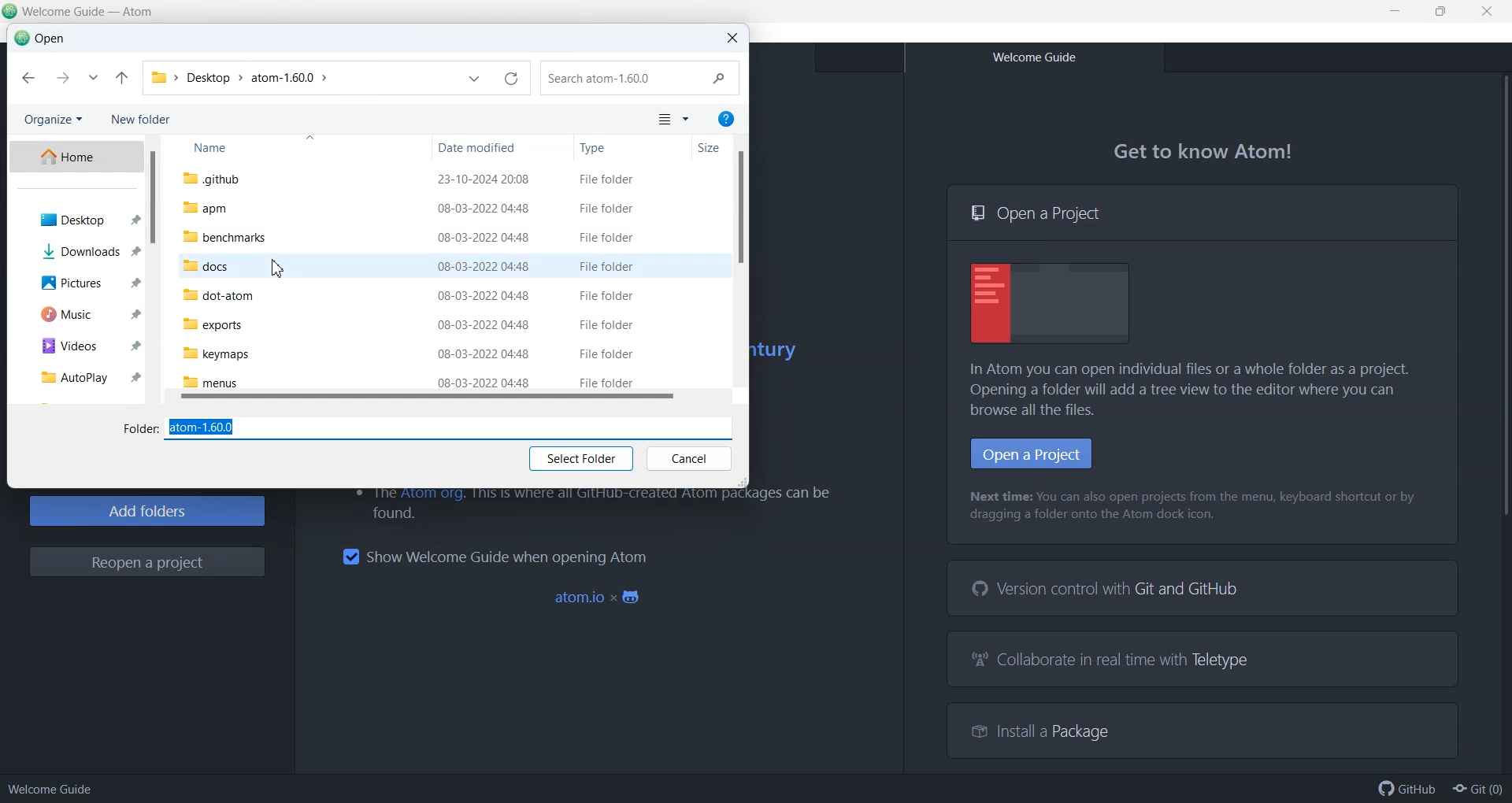 The height and width of the screenshot is (803, 1512). What do you see at coordinates (580, 460) in the screenshot?
I see `Select Folder` at bounding box center [580, 460].